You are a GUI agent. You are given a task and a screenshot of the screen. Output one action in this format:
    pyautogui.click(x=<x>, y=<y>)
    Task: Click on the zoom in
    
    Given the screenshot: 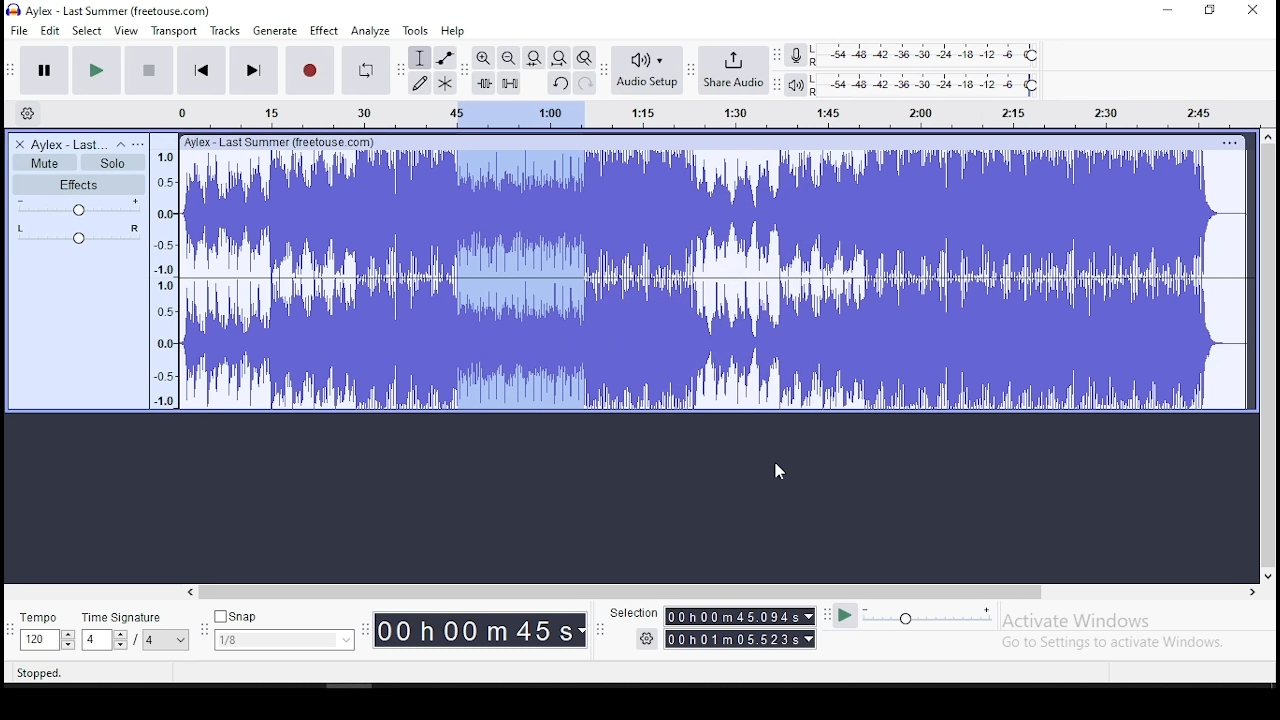 What is the action you would take?
    pyautogui.click(x=483, y=58)
    